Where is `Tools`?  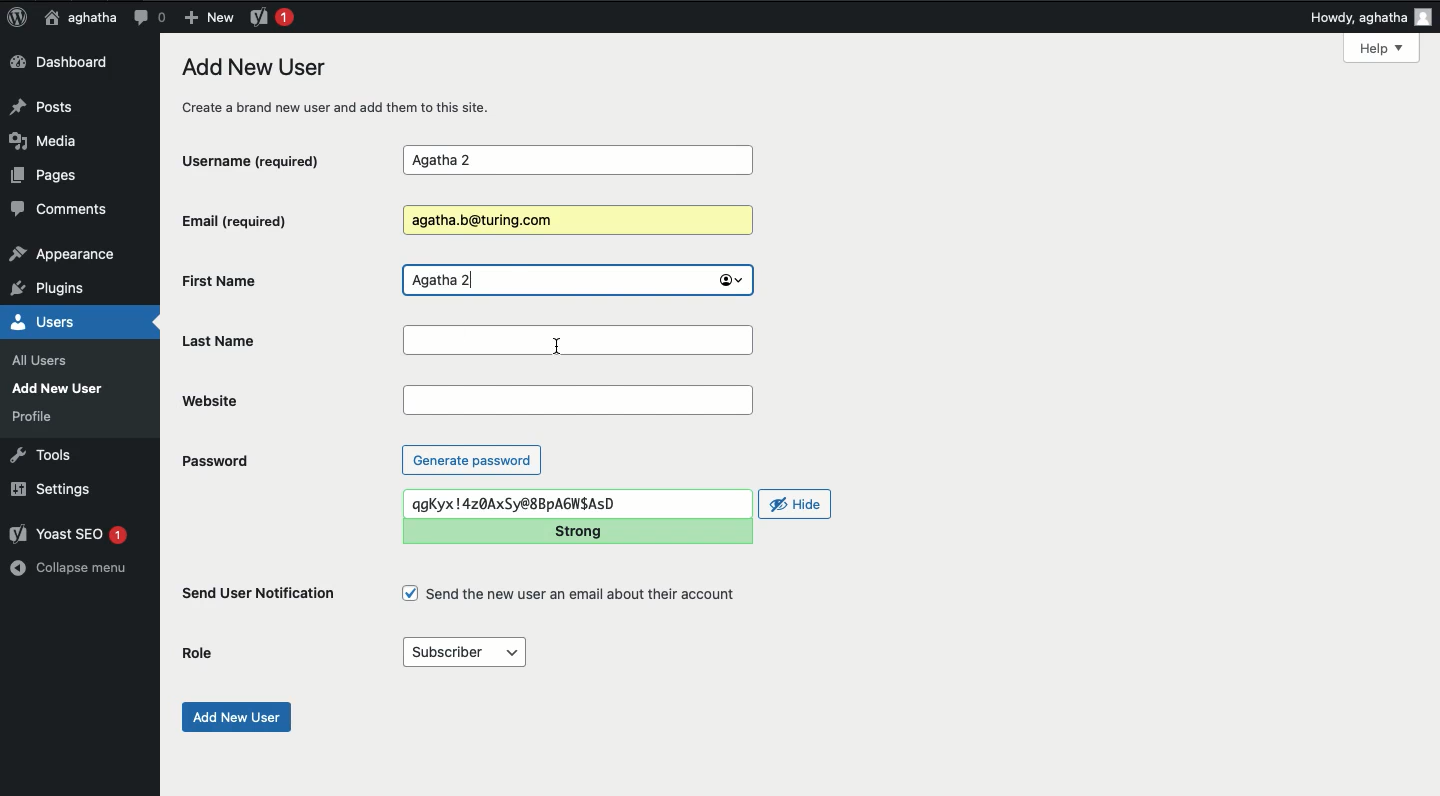
Tools is located at coordinates (42, 453).